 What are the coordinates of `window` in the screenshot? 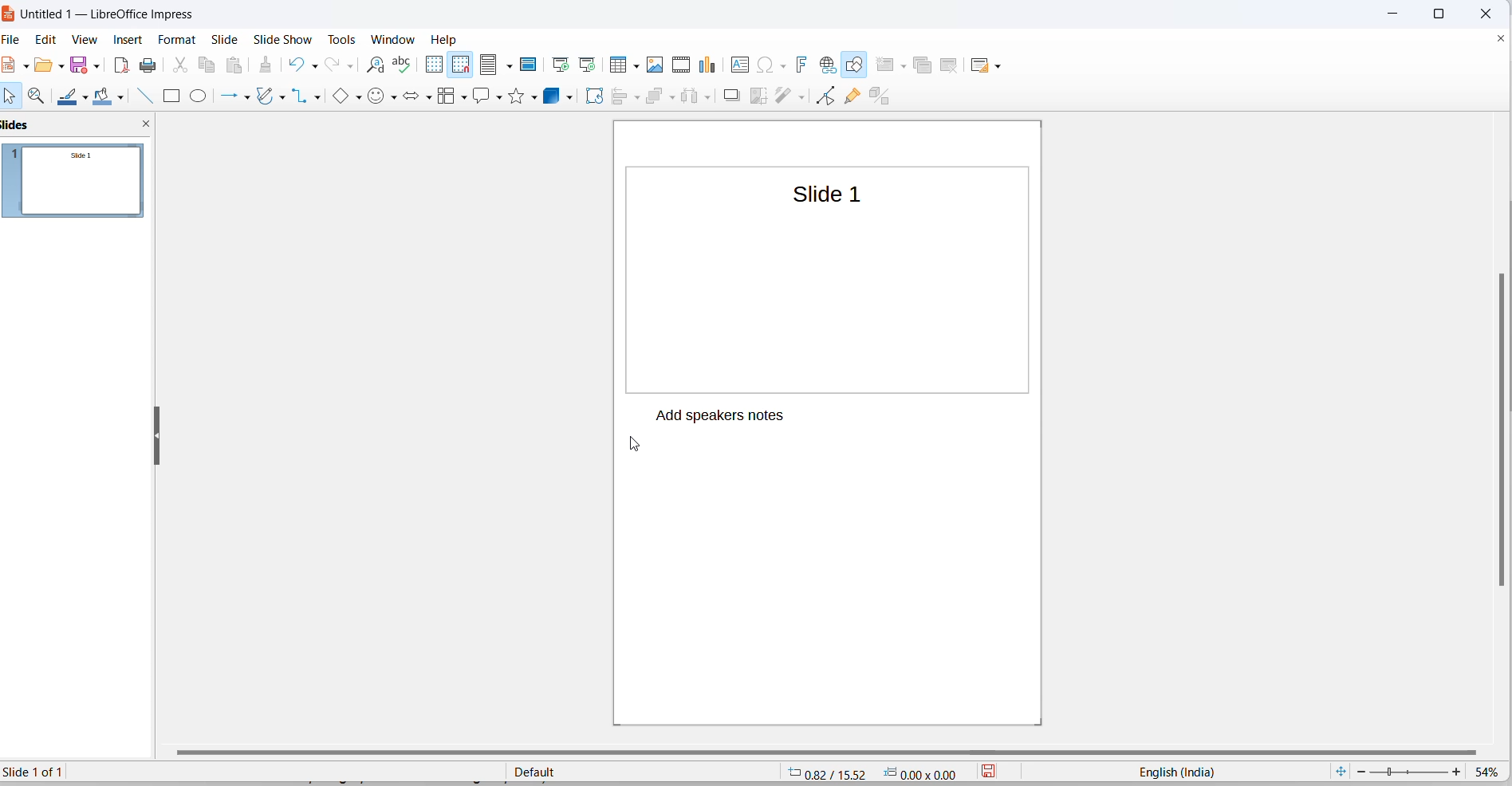 It's located at (392, 38).